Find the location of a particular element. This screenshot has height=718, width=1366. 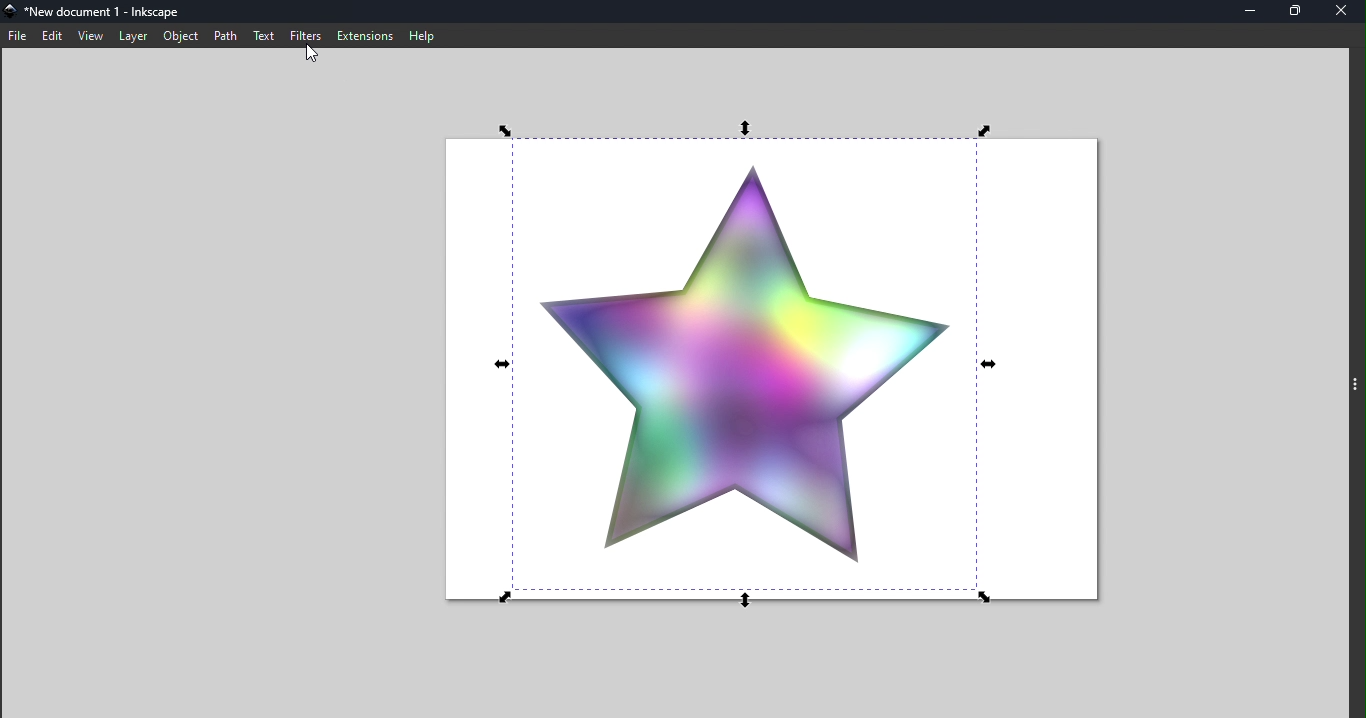

Extensions is located at coordinates (362, 34).